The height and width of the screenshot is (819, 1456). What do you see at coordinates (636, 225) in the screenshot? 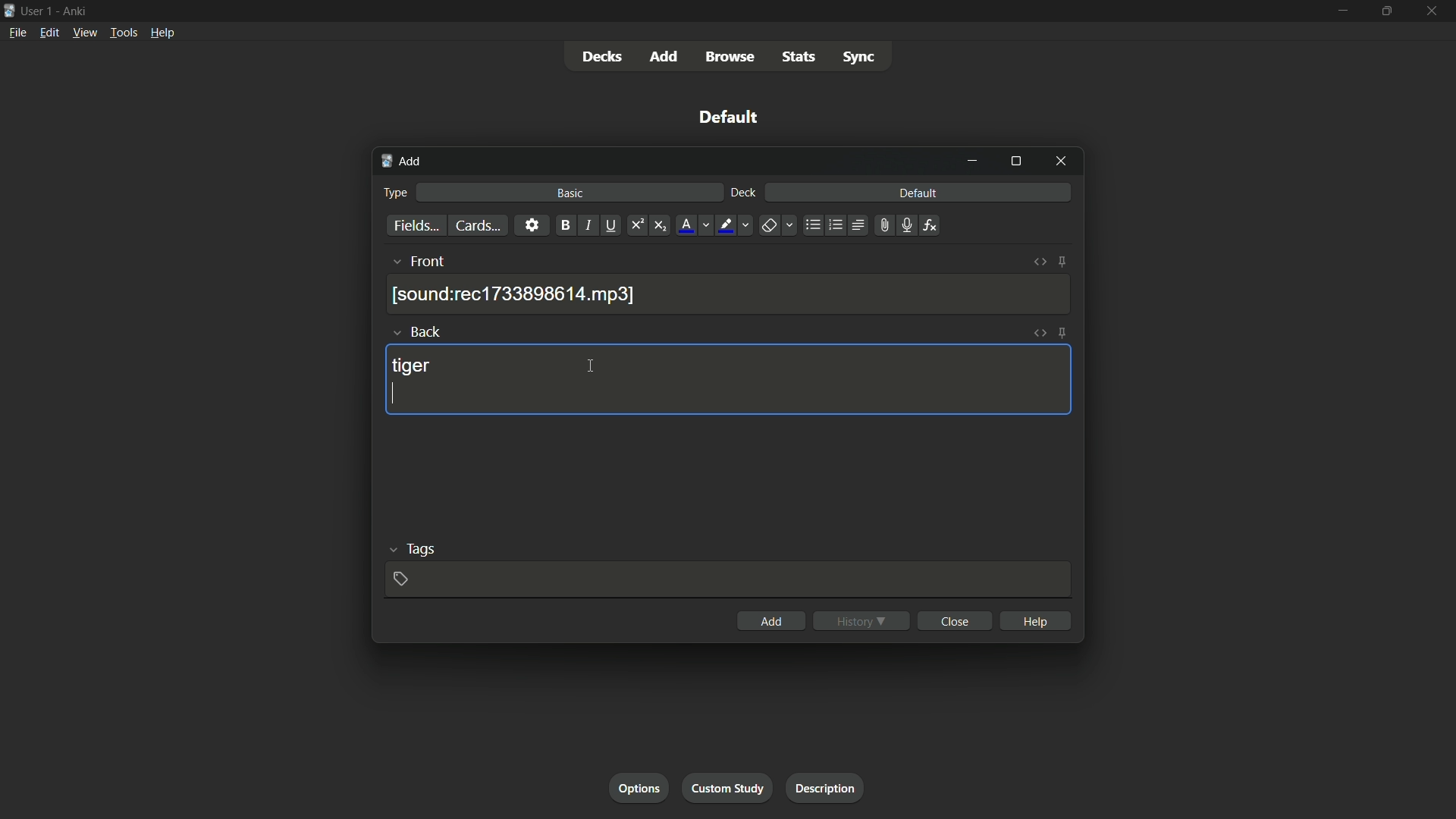
I see `superscript` at bounding box center [636, 225].